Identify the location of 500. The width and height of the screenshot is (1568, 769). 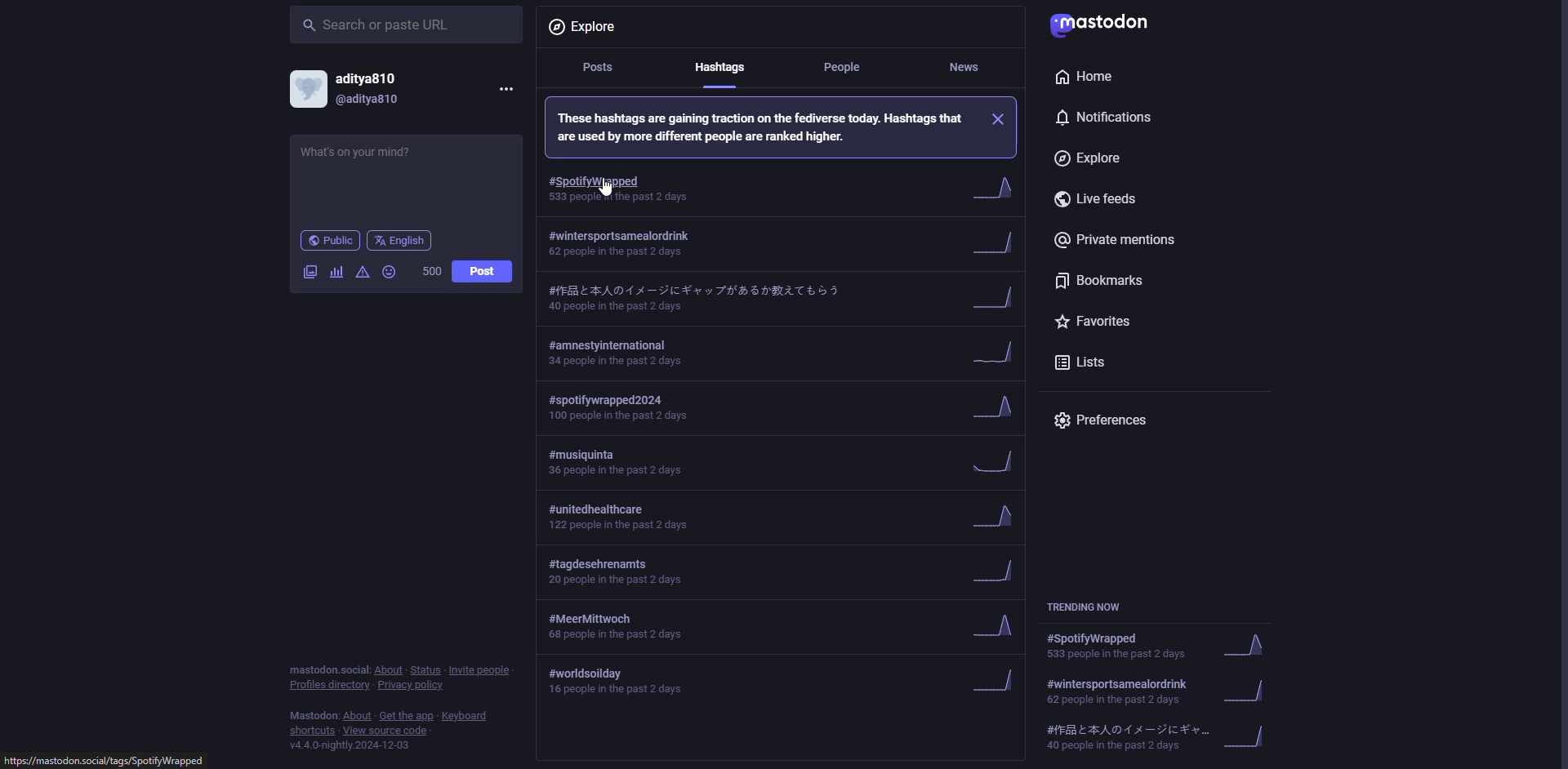
(432, 271).